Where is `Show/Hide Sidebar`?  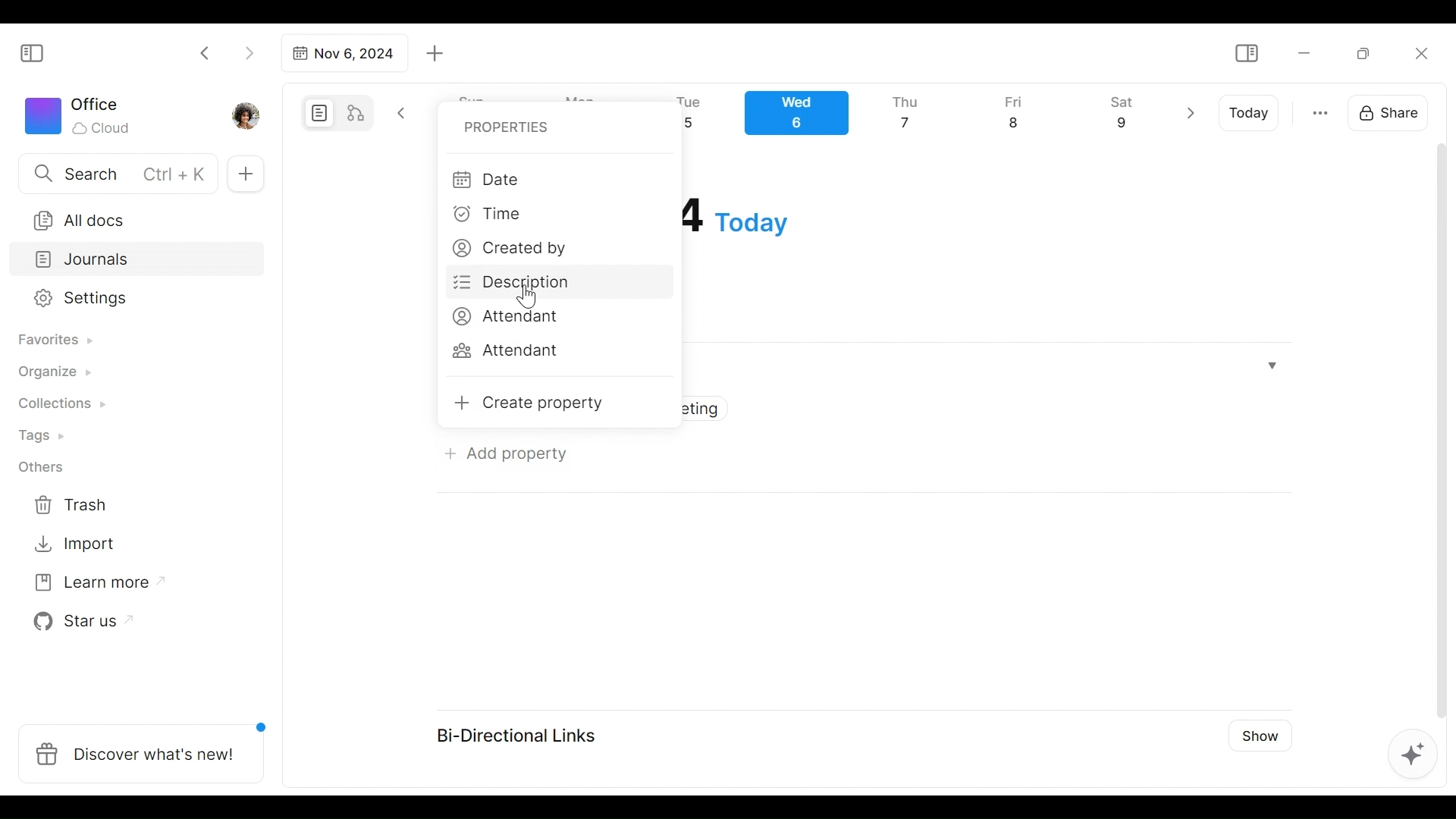 Show/Hide Sidebar is located at coordinates (1246, 54).